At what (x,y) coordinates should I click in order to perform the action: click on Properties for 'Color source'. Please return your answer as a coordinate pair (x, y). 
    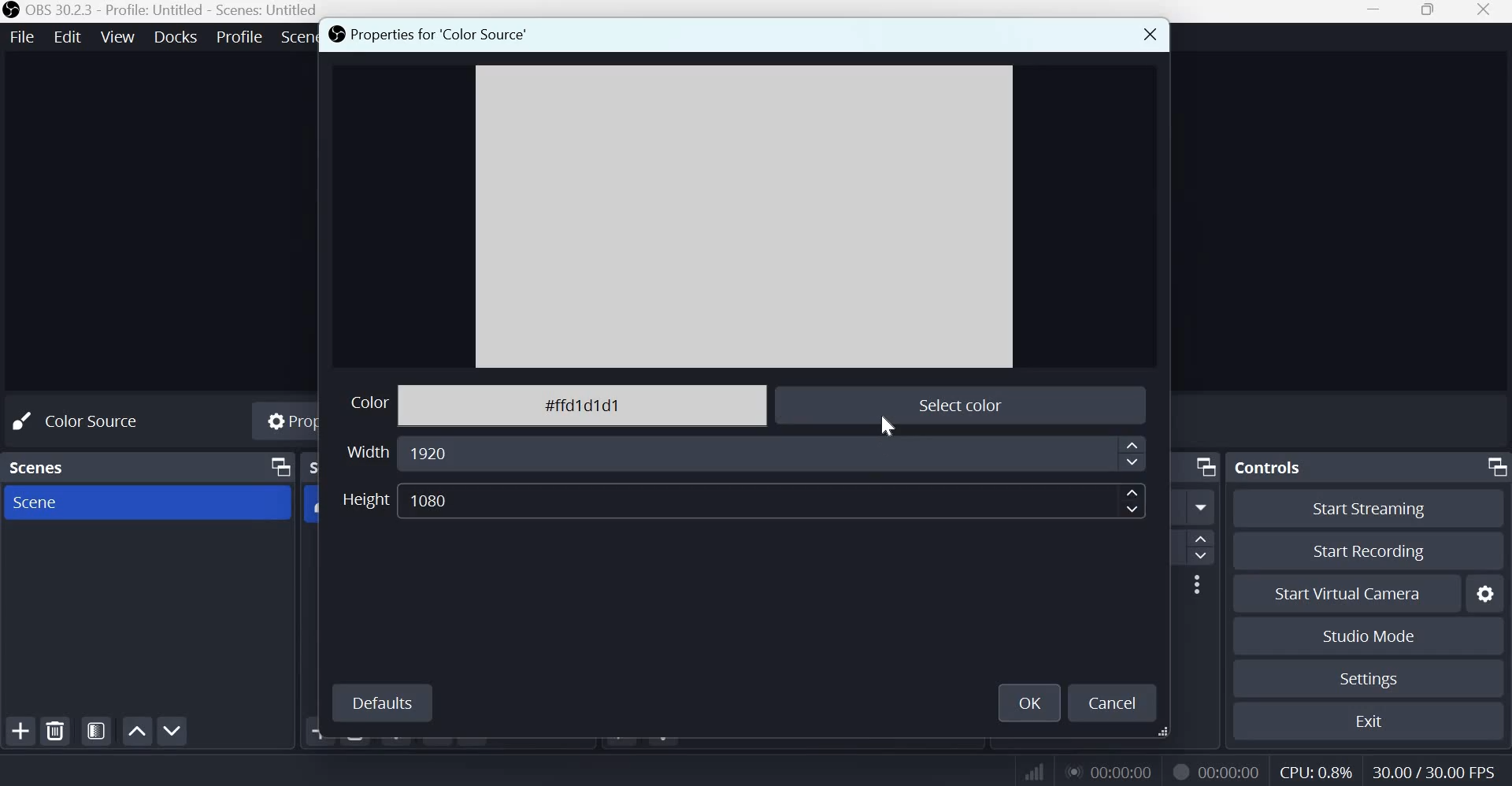
    Looking at the image, I should click on (428, 36).